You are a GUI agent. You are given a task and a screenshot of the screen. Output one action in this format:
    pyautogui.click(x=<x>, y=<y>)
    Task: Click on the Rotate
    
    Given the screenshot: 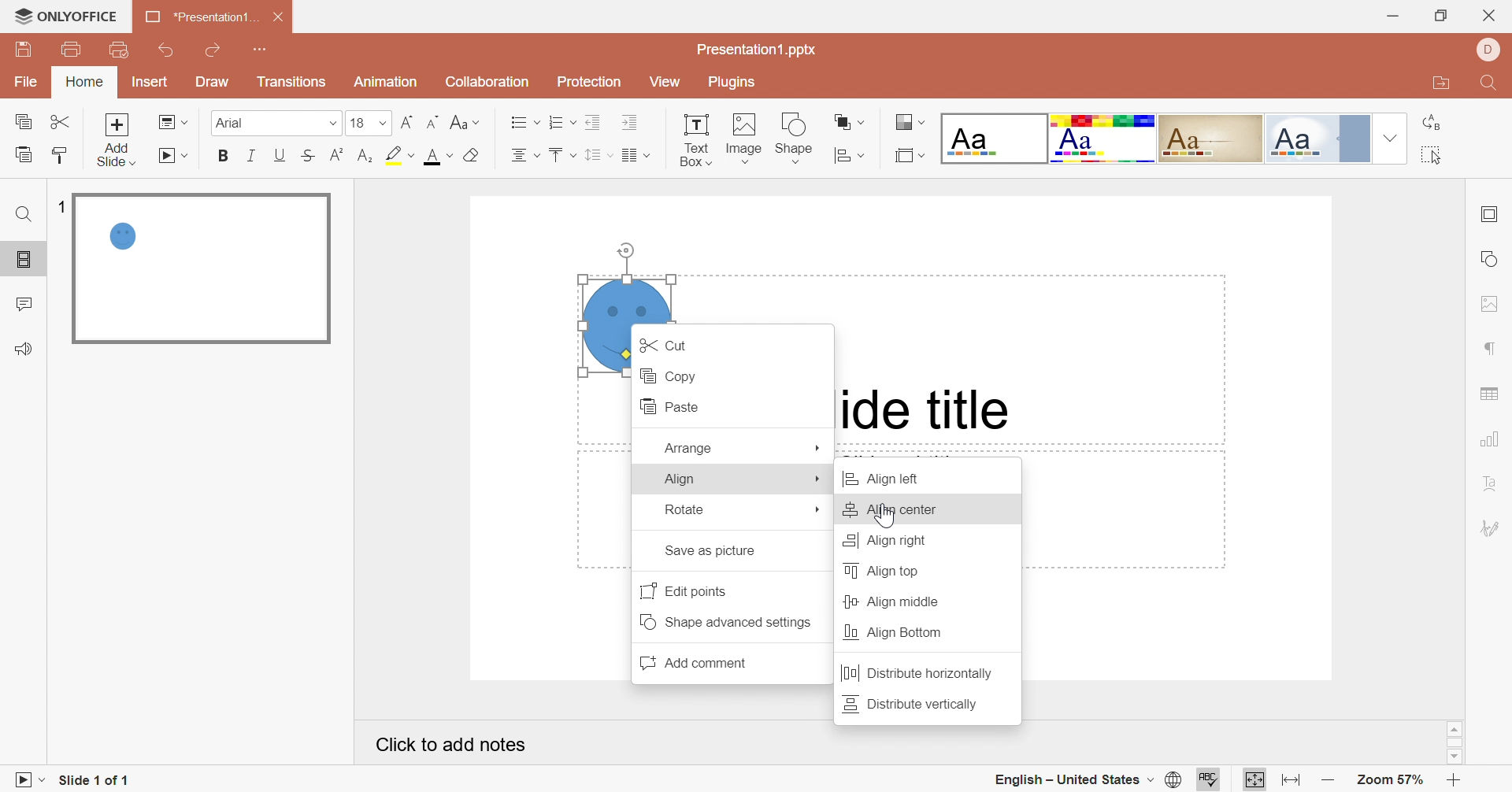 What is the action you would take?
    pyautogui.click(x=687, y=508)
    